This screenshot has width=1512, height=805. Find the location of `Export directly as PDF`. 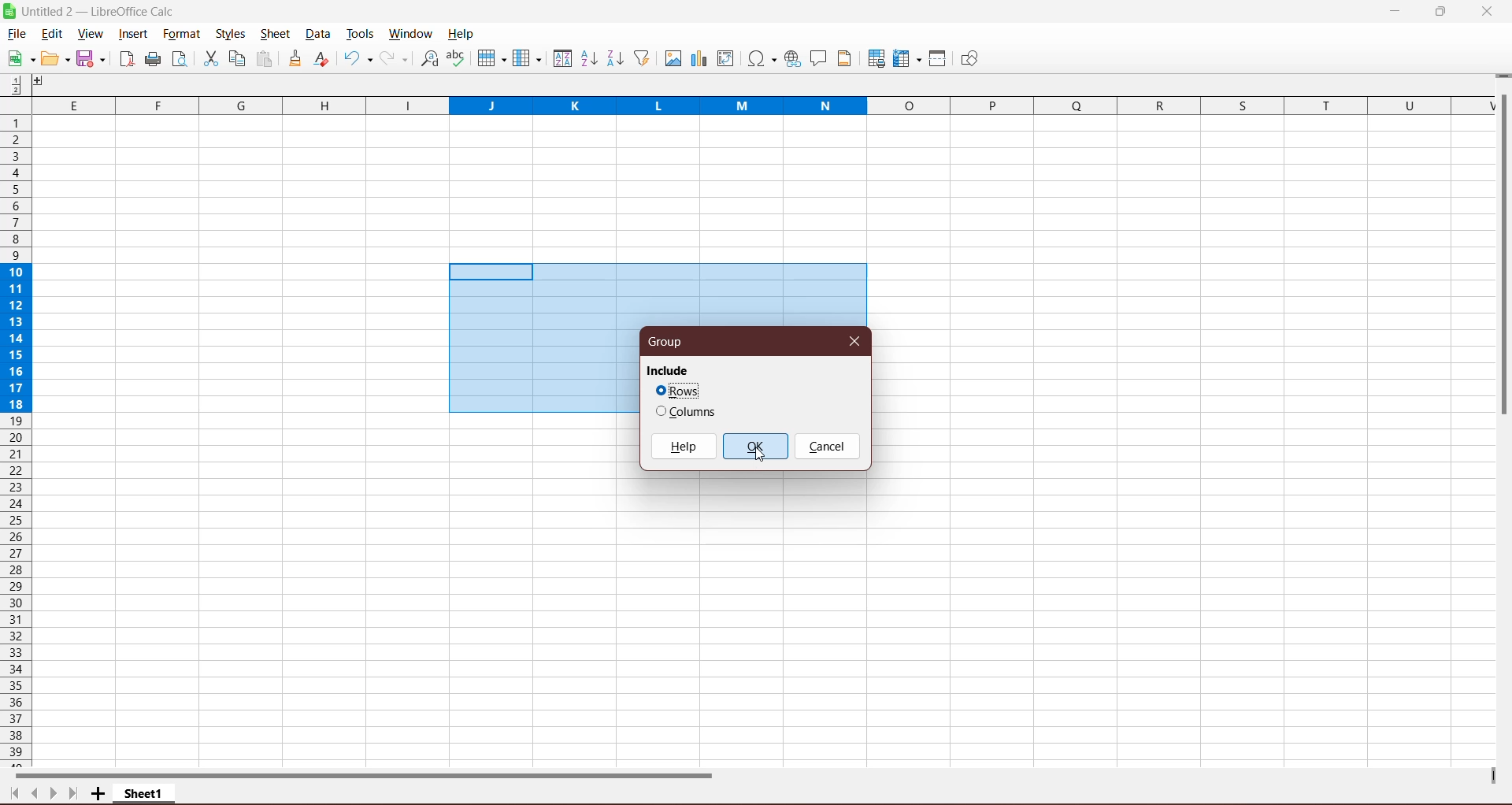

Export directly as PDF is located at coordinates (125, 61).